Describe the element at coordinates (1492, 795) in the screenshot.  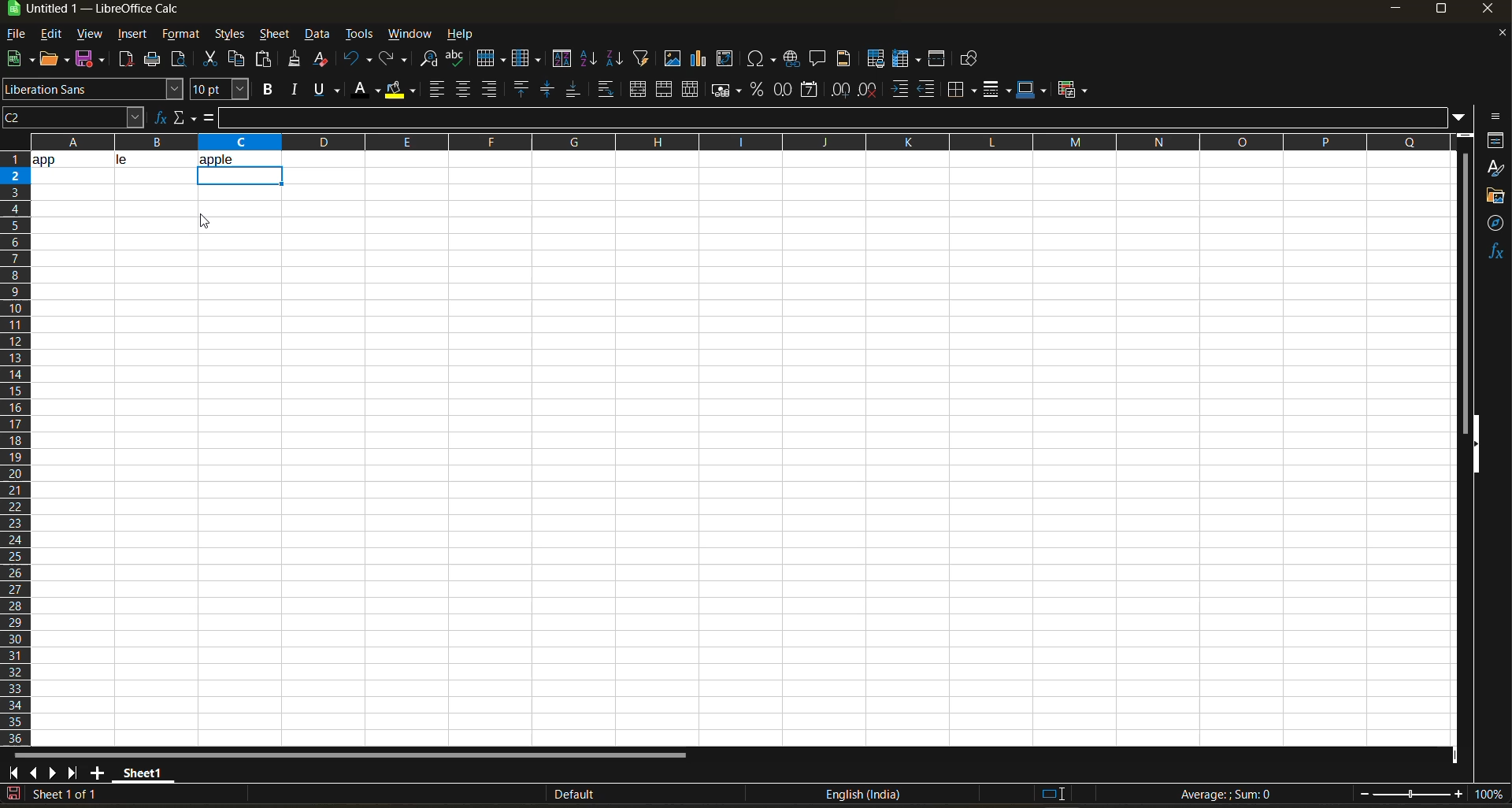
I see `zoom factor` at that location.